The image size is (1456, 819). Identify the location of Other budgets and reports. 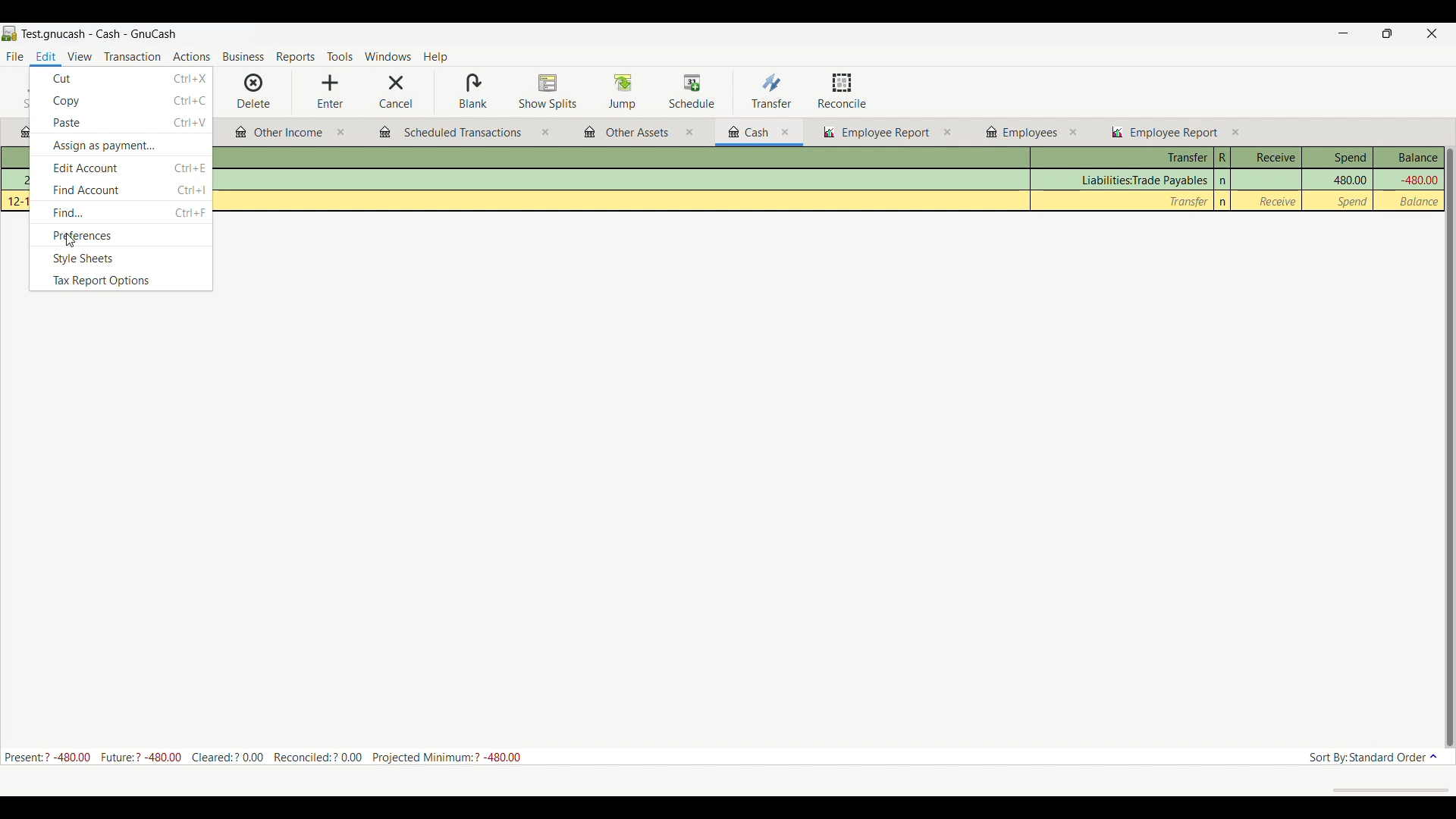
(279, 133).